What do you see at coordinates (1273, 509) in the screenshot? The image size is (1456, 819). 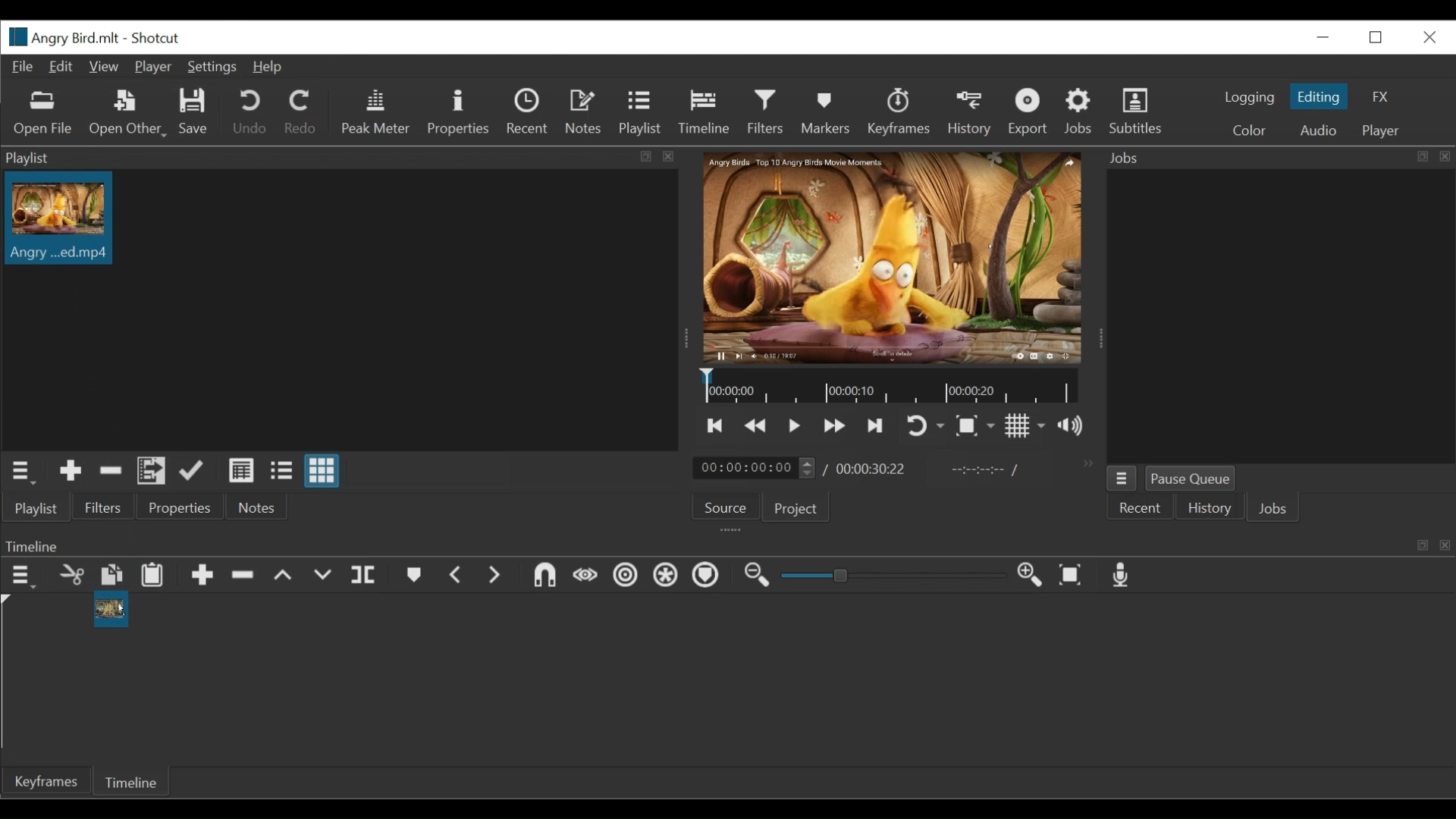 I see `Jobs` at bounding box center [1273, 509].